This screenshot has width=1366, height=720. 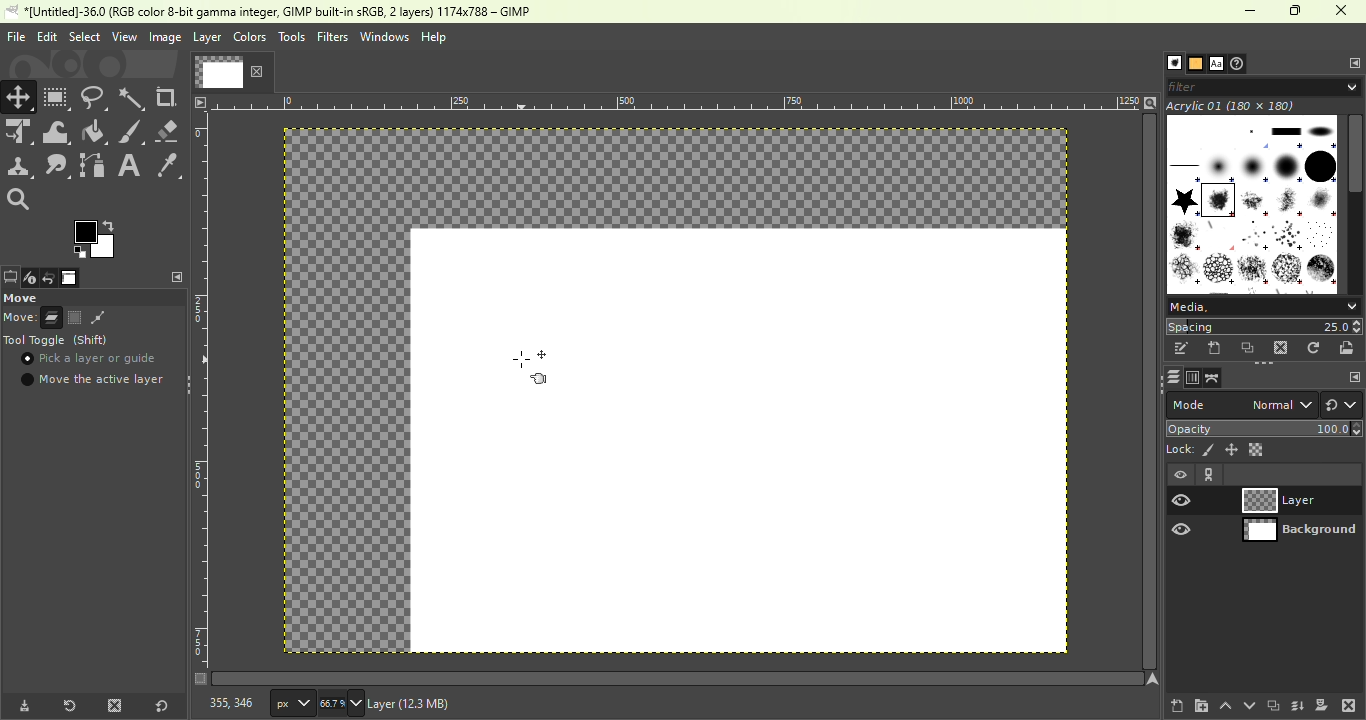 What do you see at coordinates (98, 318) in the screenshot?
I see `Subtract from the current selection` at bounding box center [98, 318].